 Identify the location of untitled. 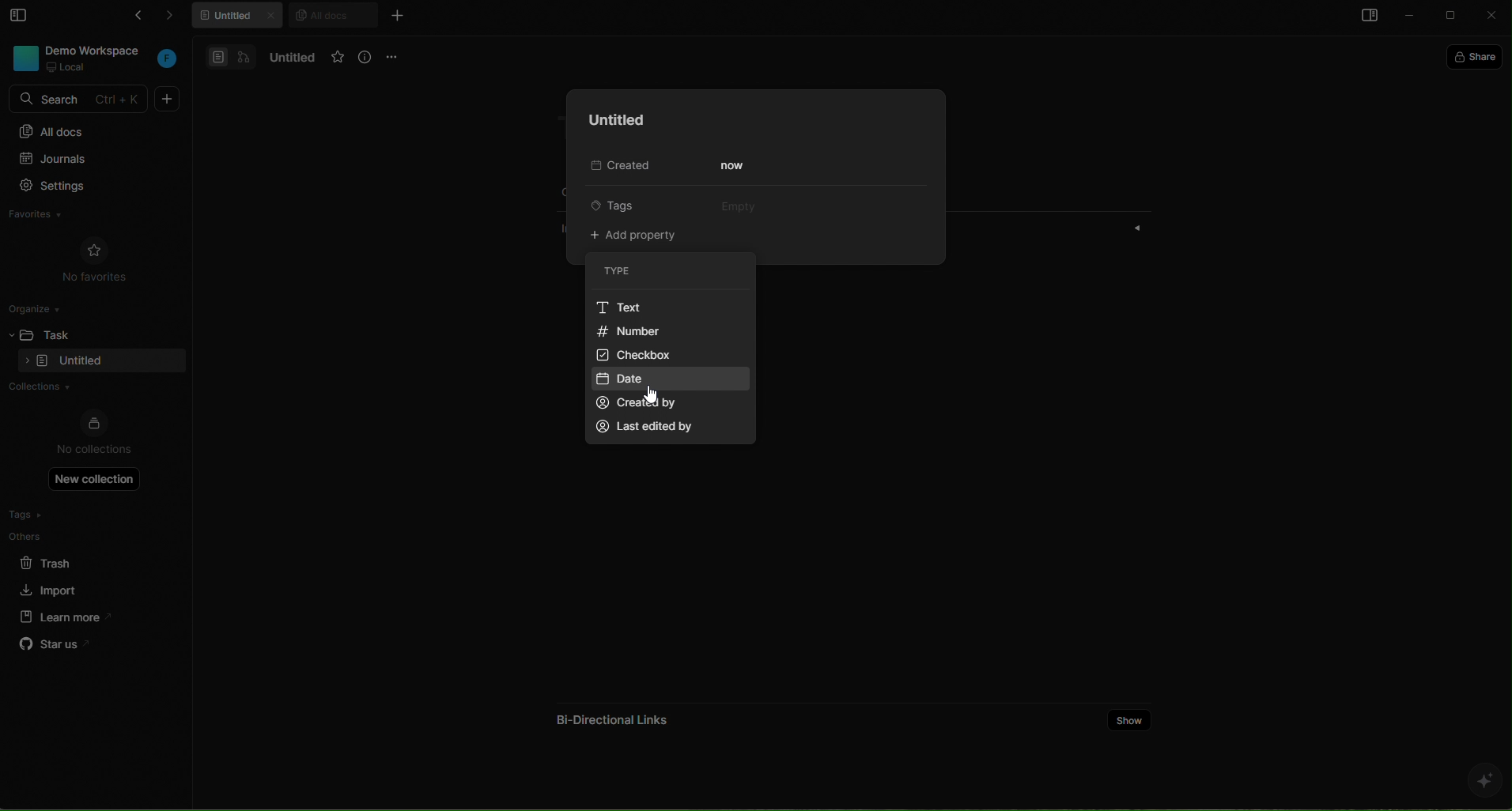
(612, 120).